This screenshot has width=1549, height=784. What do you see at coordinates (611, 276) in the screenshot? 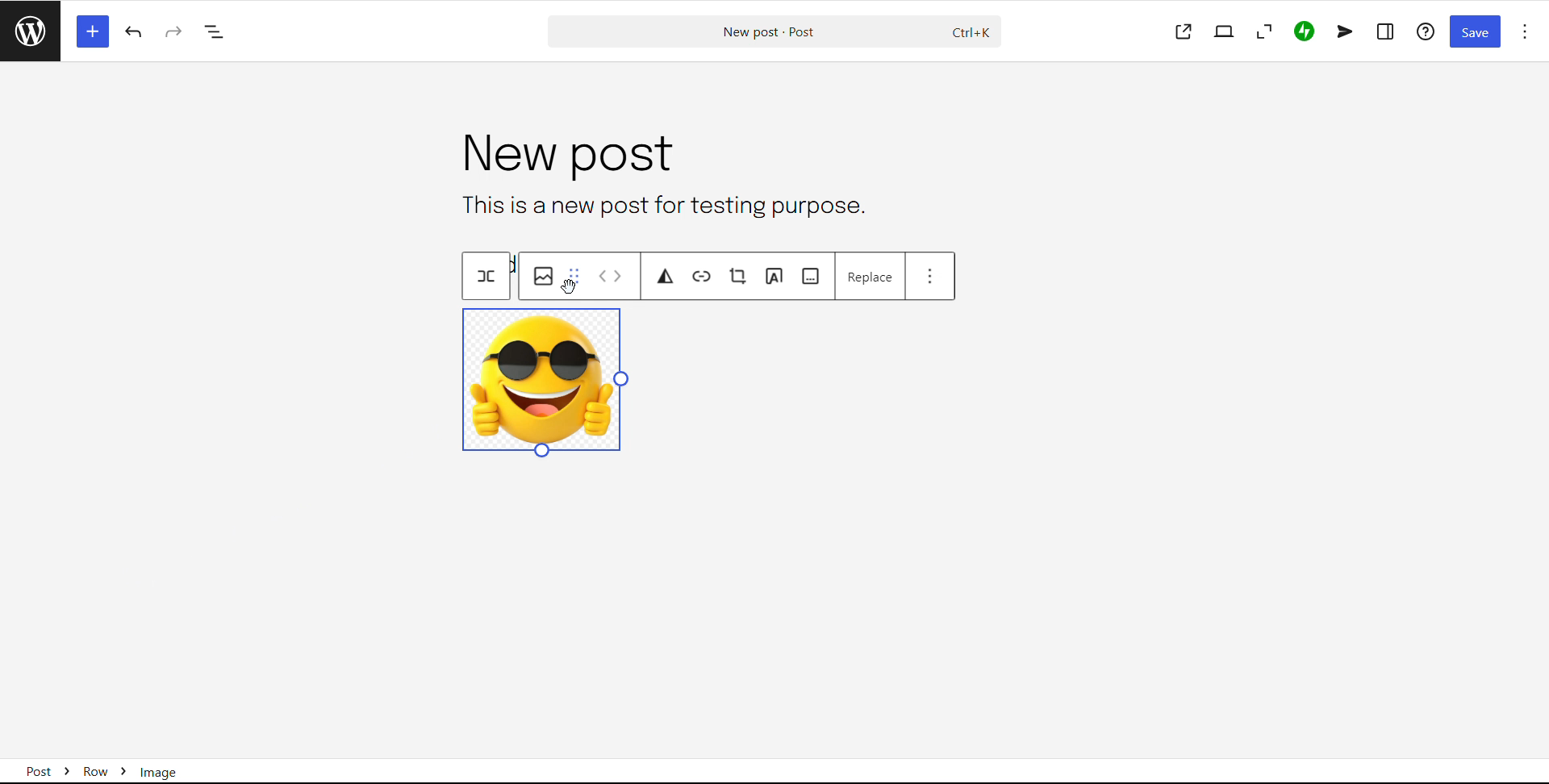
I see `move left or right` at bounding box center [611, 276].